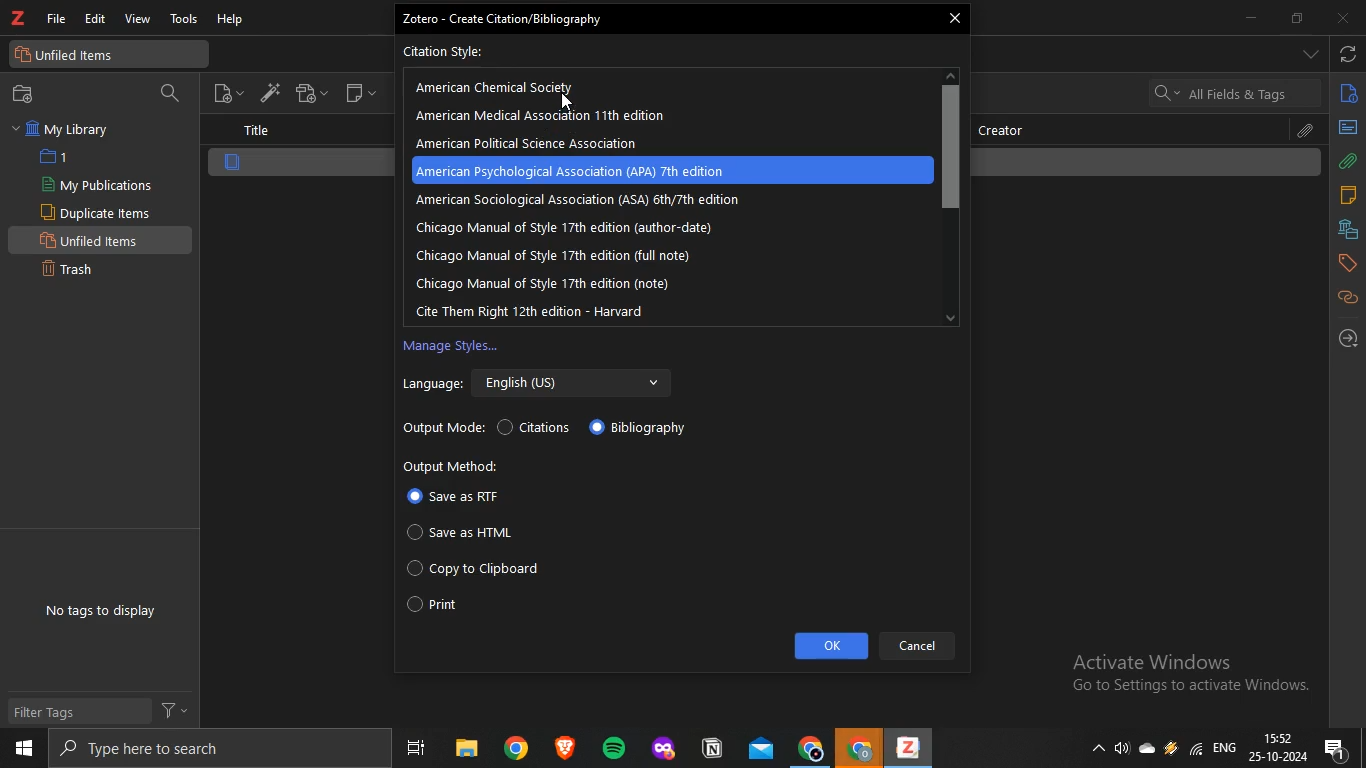 The height and width of the screenshot is (768, 1366). What do you see at coordinates (1348, 195) in the screenshot?
I see `notes` at bounding box center [1348, 195].